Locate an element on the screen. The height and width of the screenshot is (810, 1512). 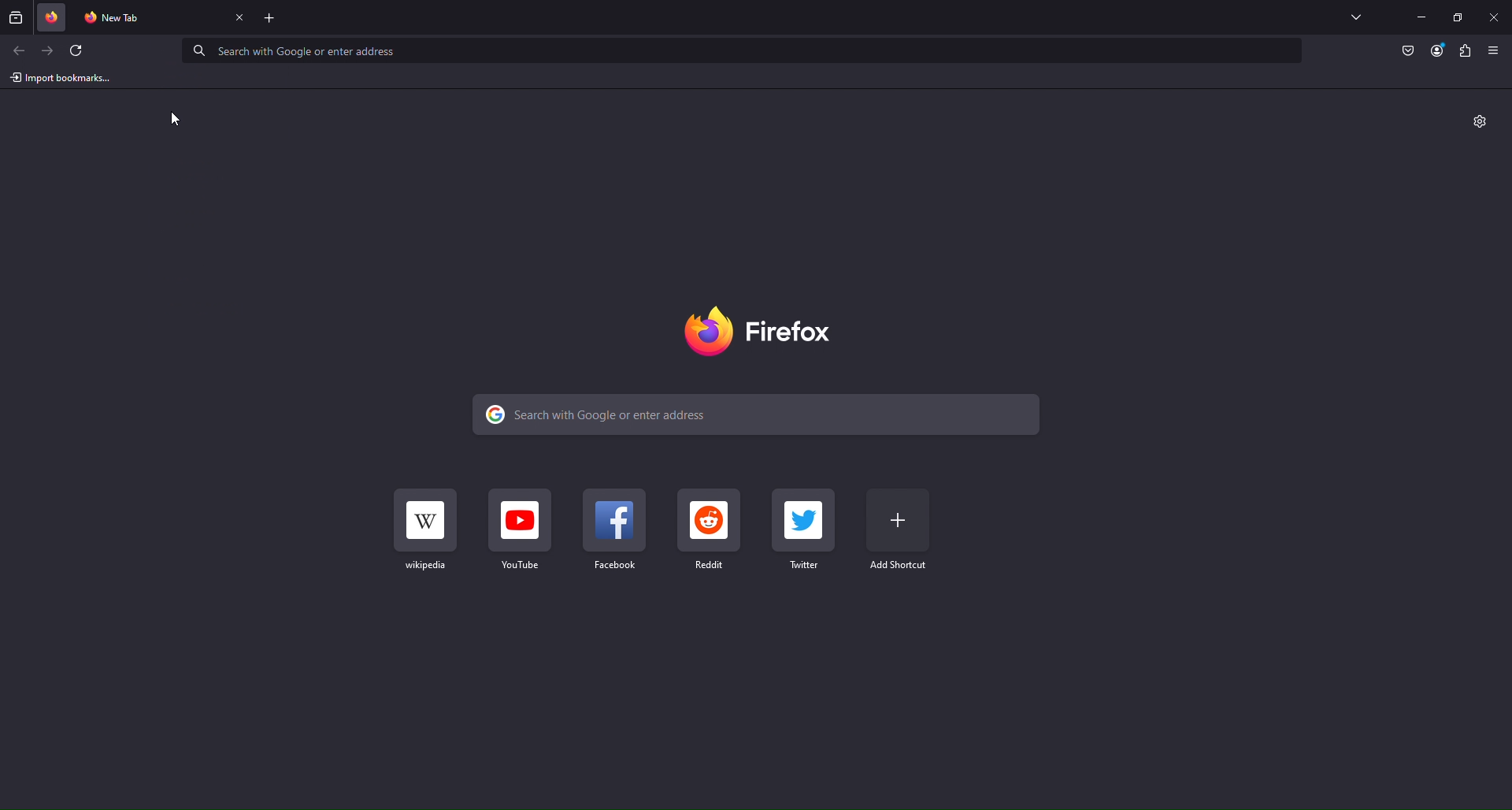
Facebook Shortcut is located at coordinates (616, 530).